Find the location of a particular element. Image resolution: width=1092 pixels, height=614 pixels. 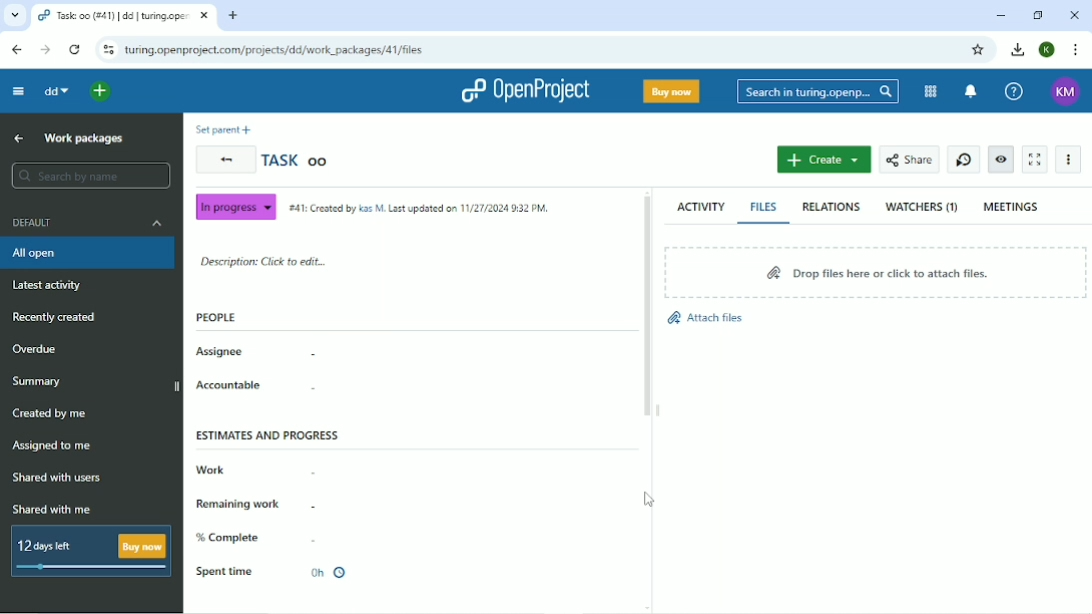

- is located at coordinates (316, 352).